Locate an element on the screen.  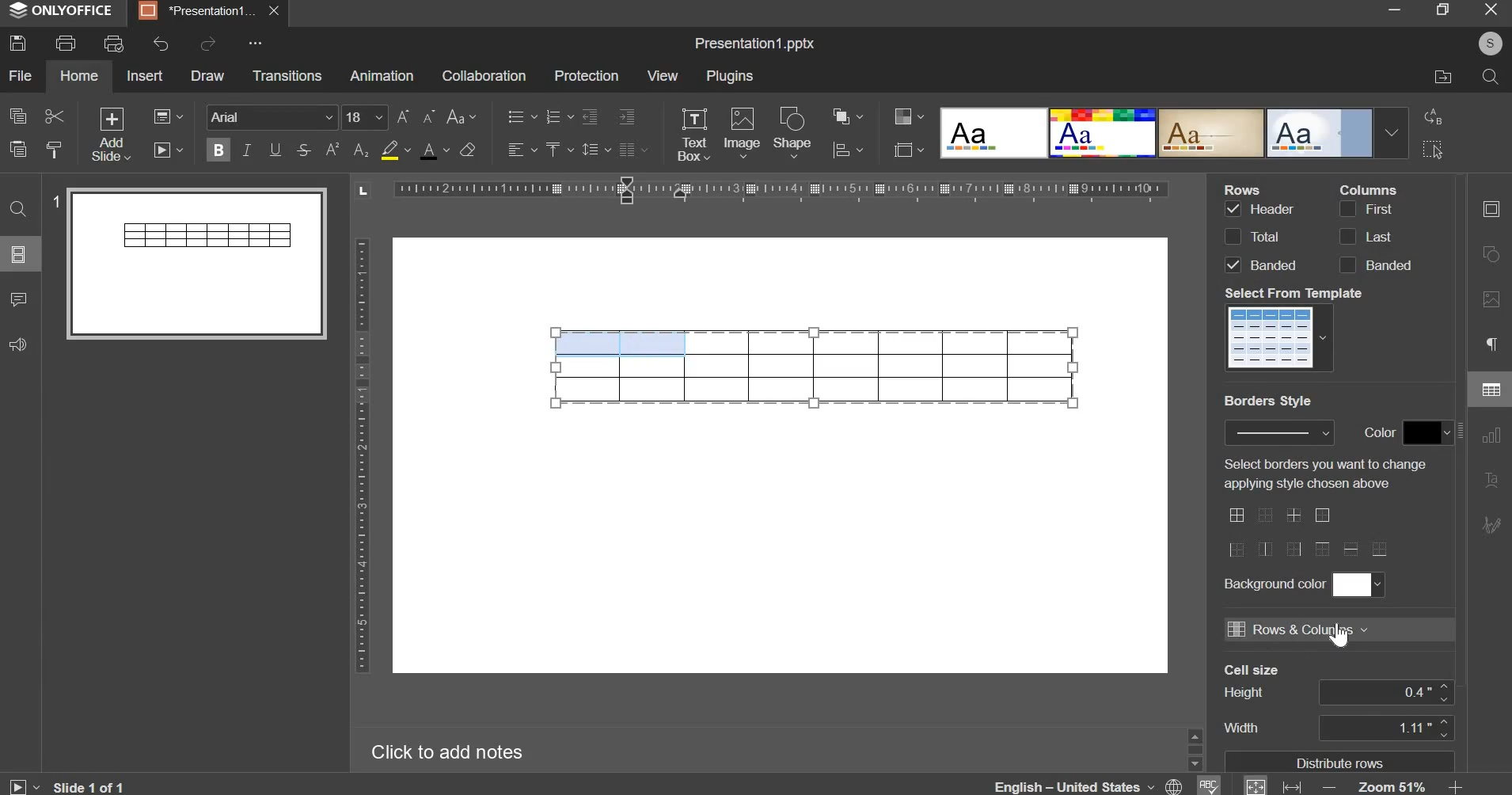
slide menu is located at coordinates (21, 255).